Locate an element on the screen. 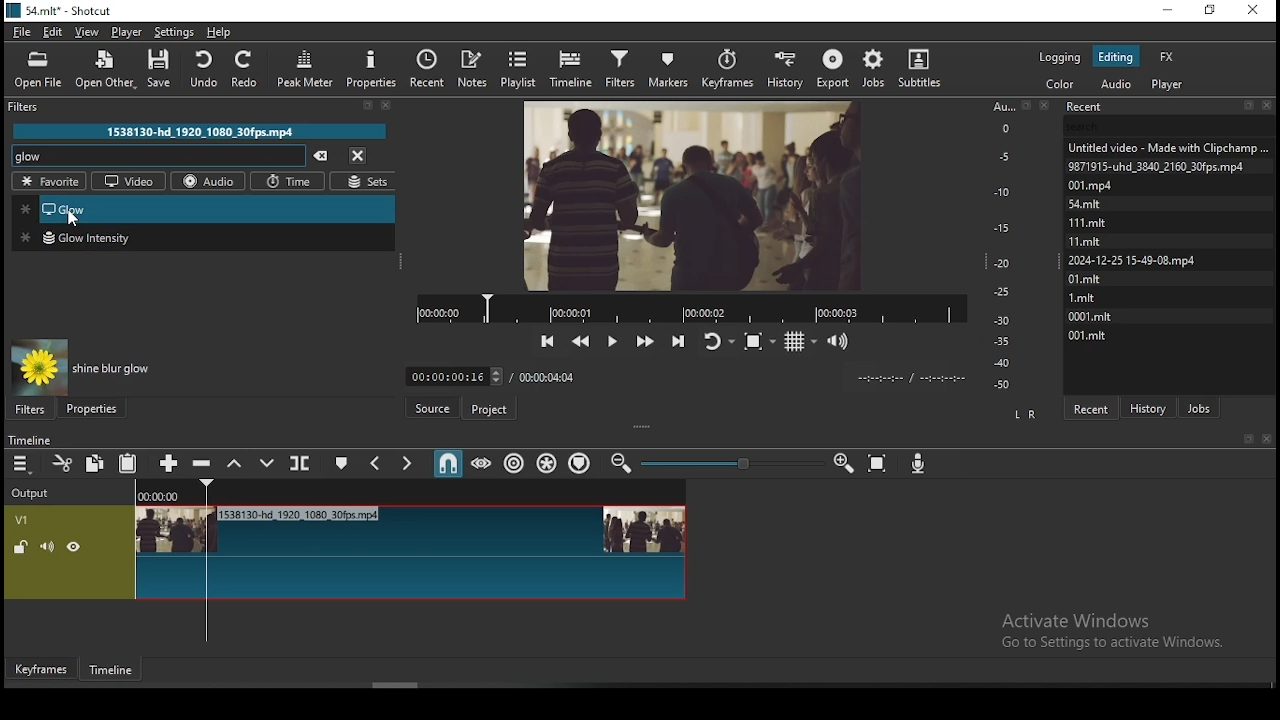 This screenshot has width=1280, height=720. Filter is located at coordinates (207, 107).